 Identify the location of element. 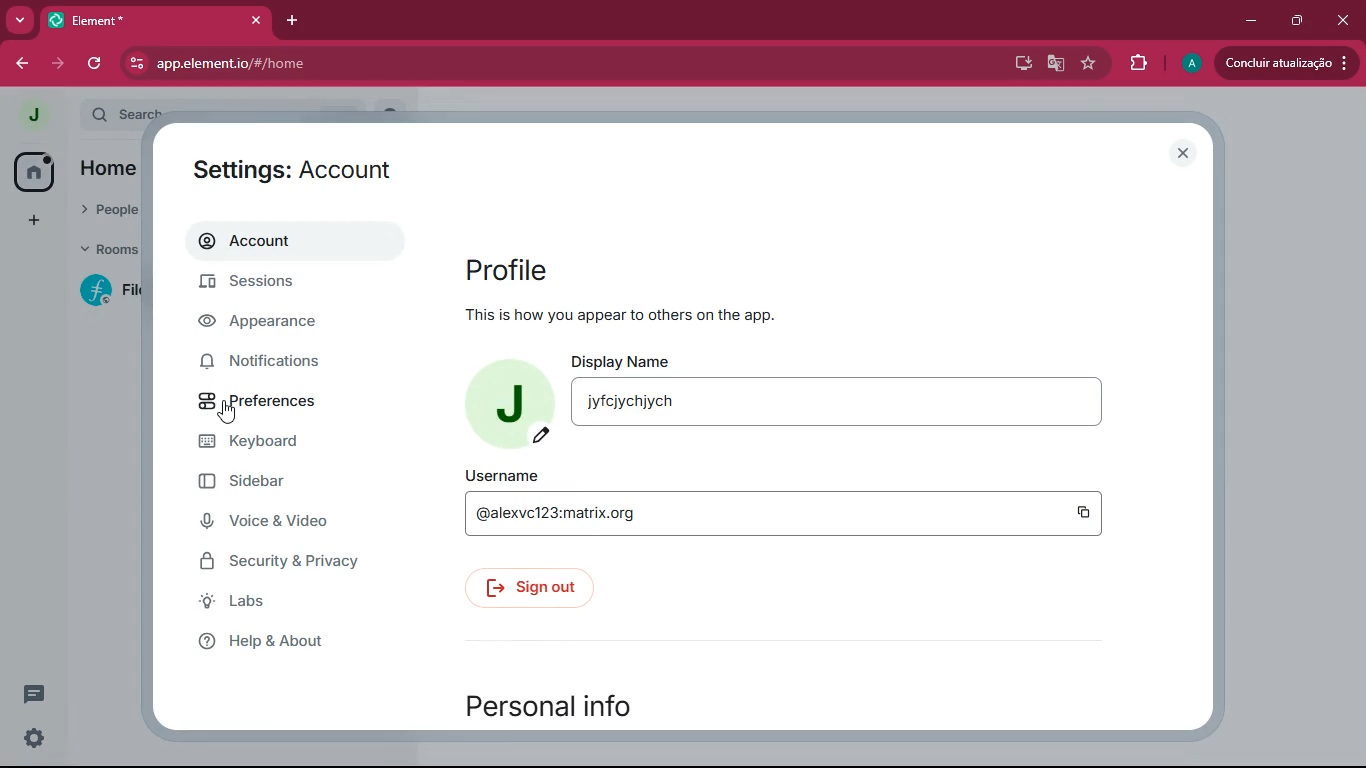
(155, 18).